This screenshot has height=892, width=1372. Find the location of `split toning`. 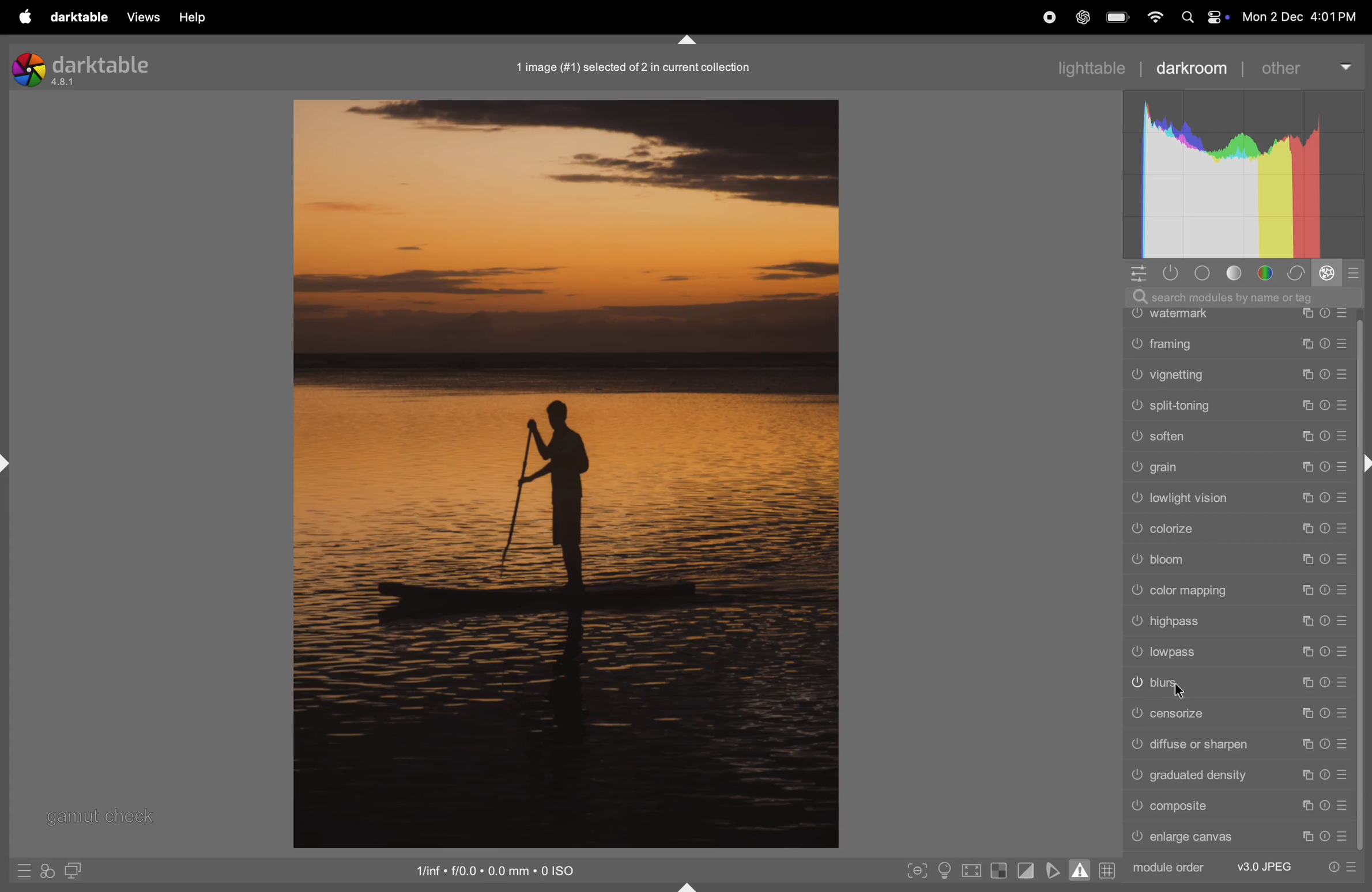

split toning is located at coordinates (1236, 406).